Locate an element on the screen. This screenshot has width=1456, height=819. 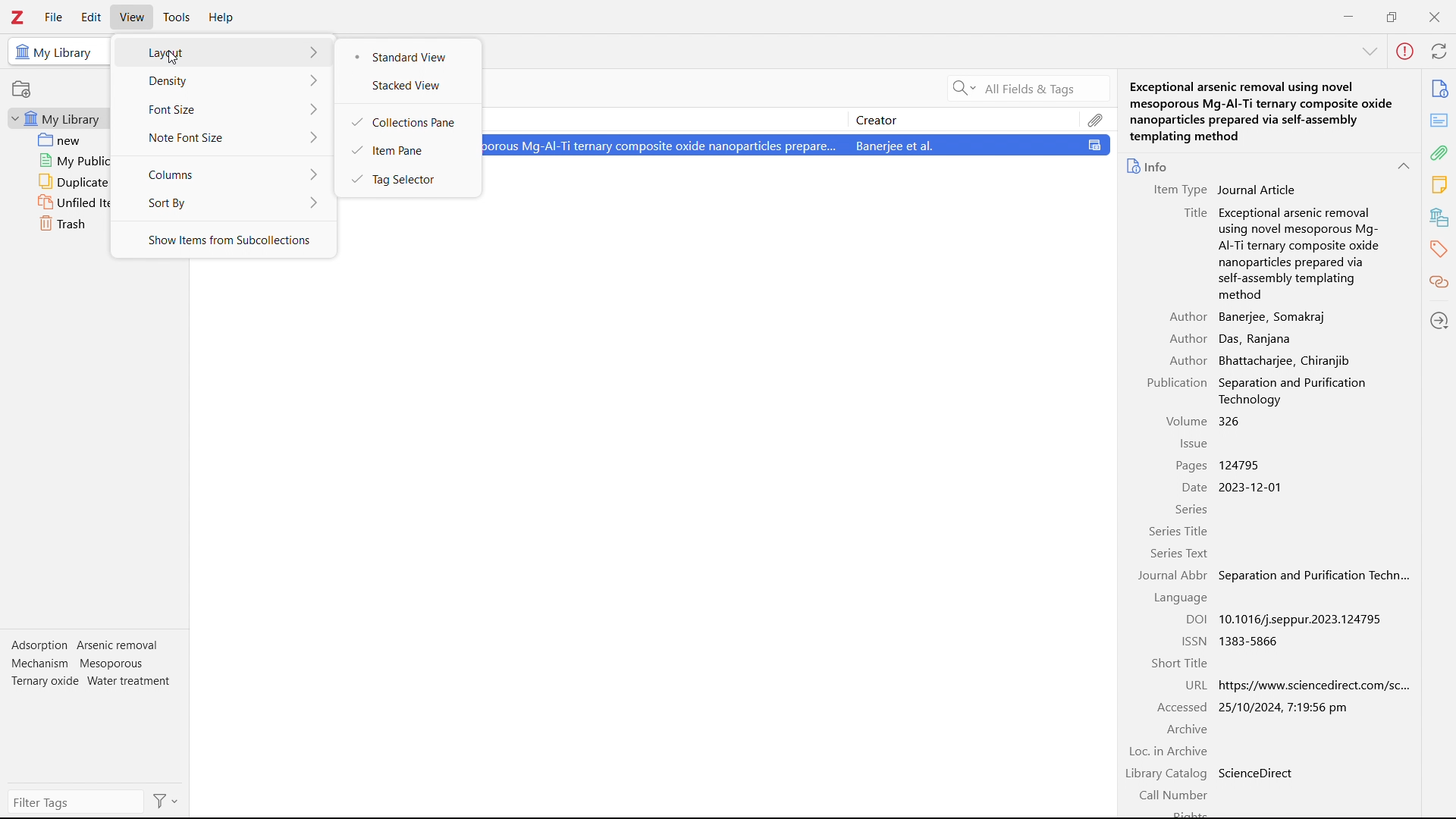
ISSN is located at coordinates (1194, 640).